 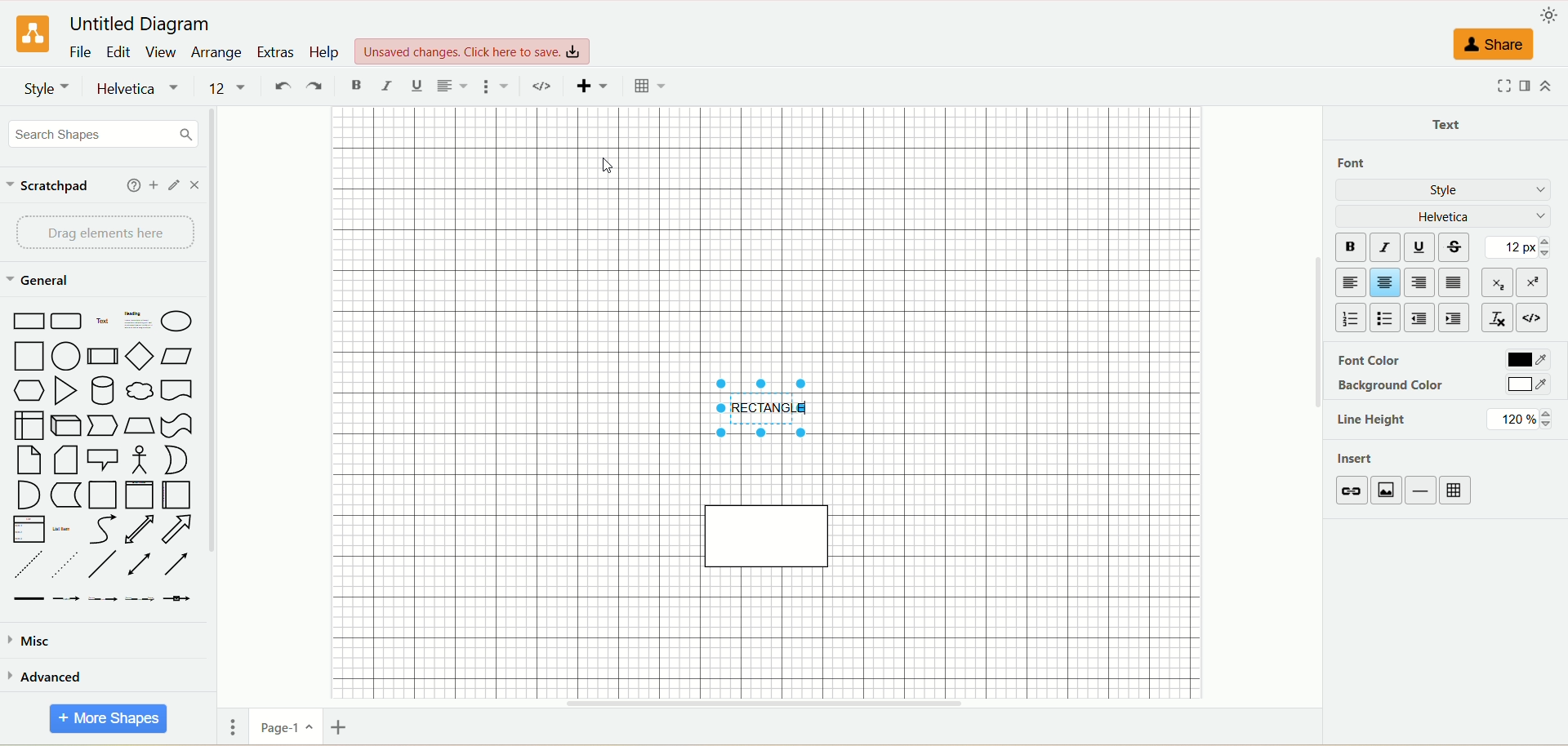 What do you see at coordinates (104, 231) in the screenshot?
I see `drag element here` at bounding box center [104, 231].